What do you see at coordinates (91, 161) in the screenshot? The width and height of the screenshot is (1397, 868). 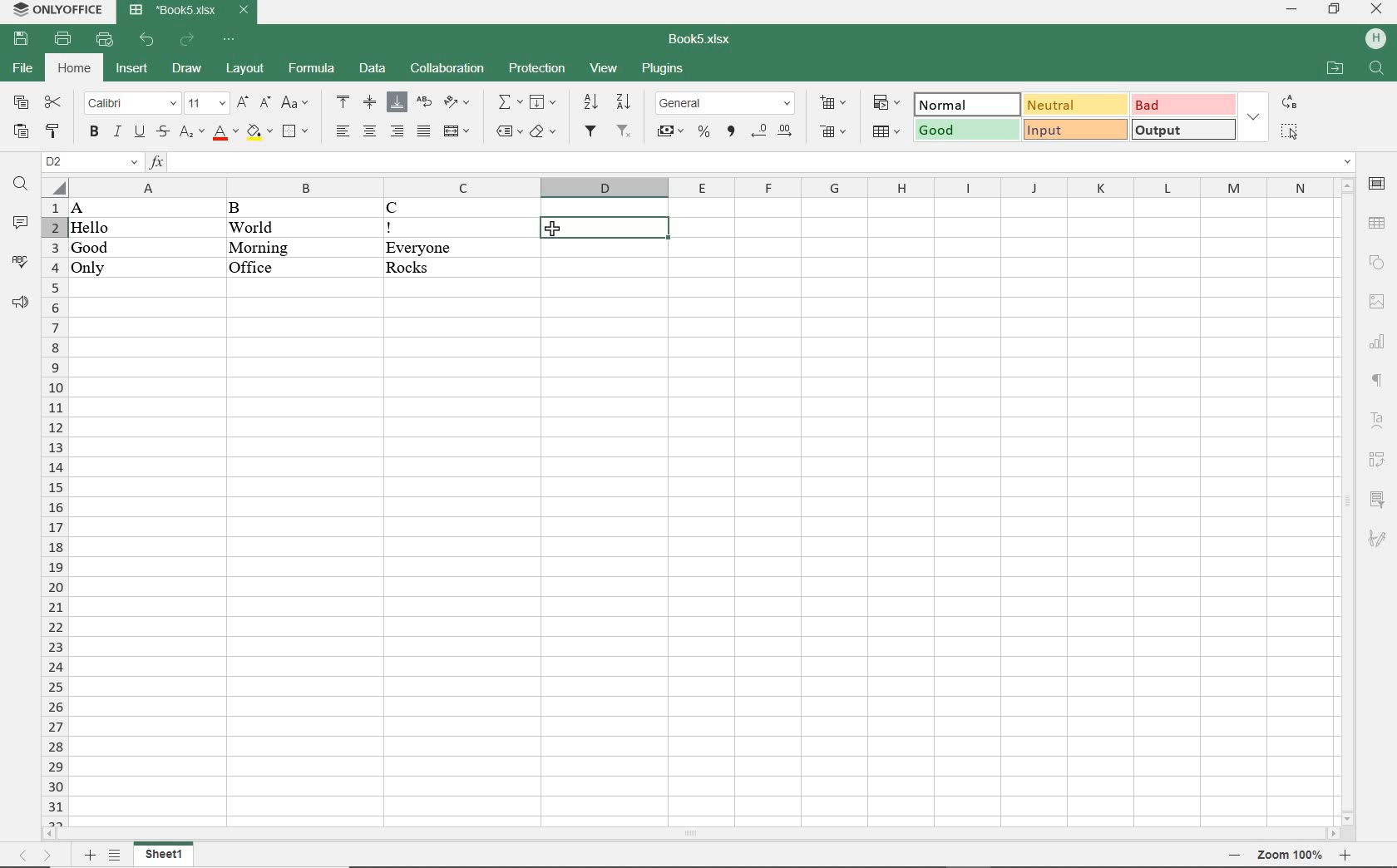 I see `name manager` at bounding box center [91, 161].